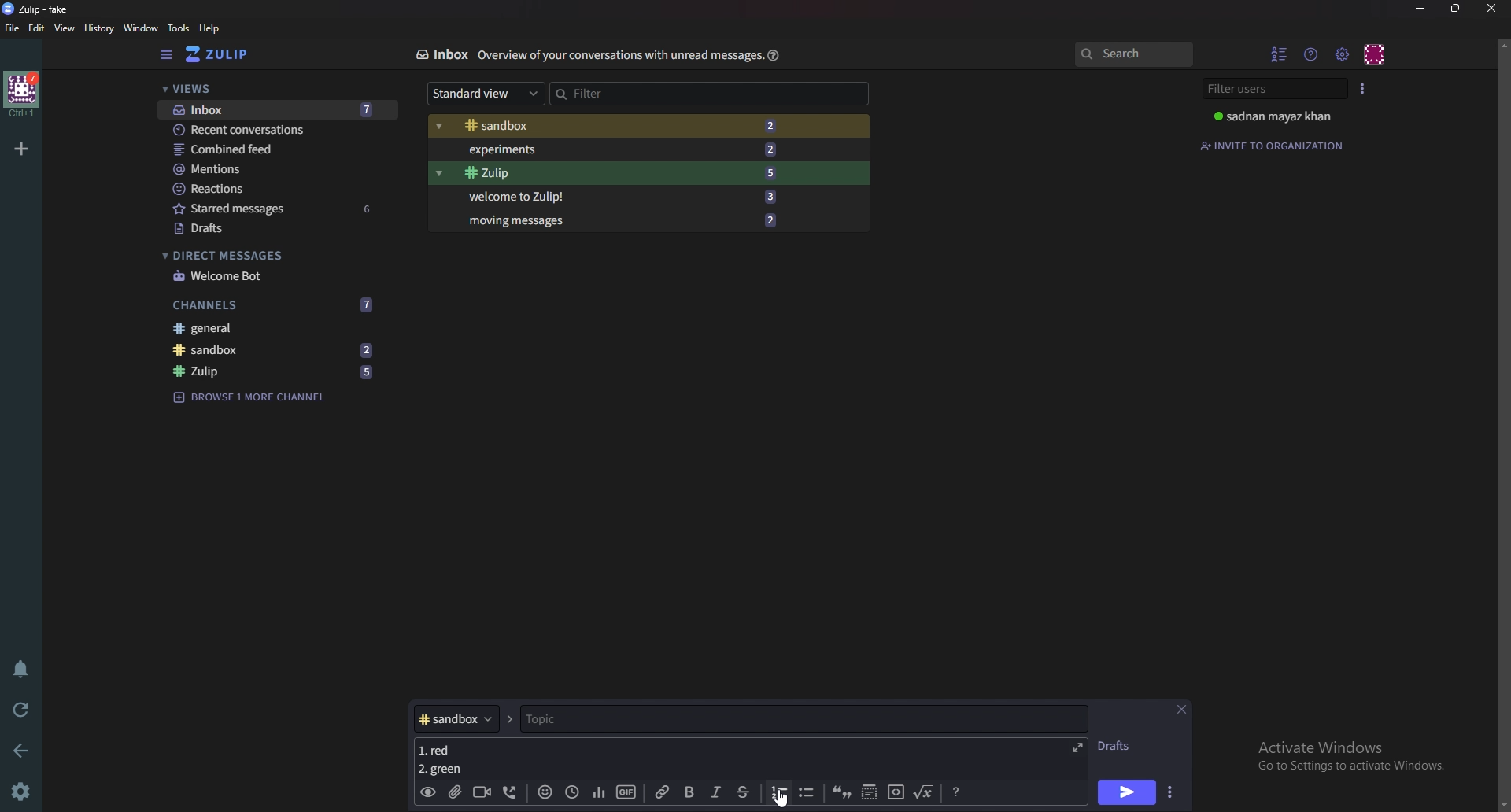  What do you see at coordinates (620, 220) in the screenshot?
I see `Moving messages` at bounding box center [620, 220].